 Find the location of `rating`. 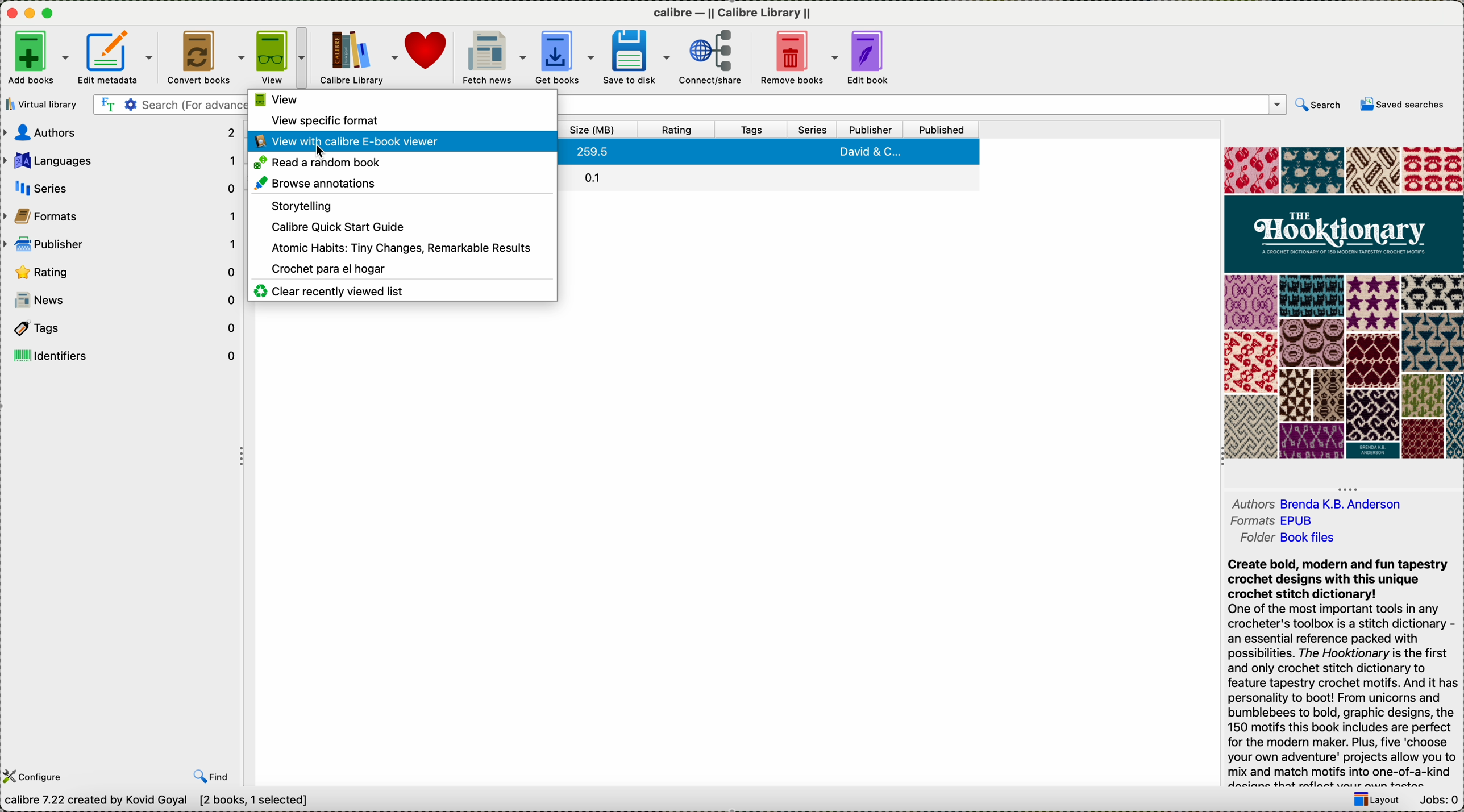

rating is located at coordinates (123, 272).